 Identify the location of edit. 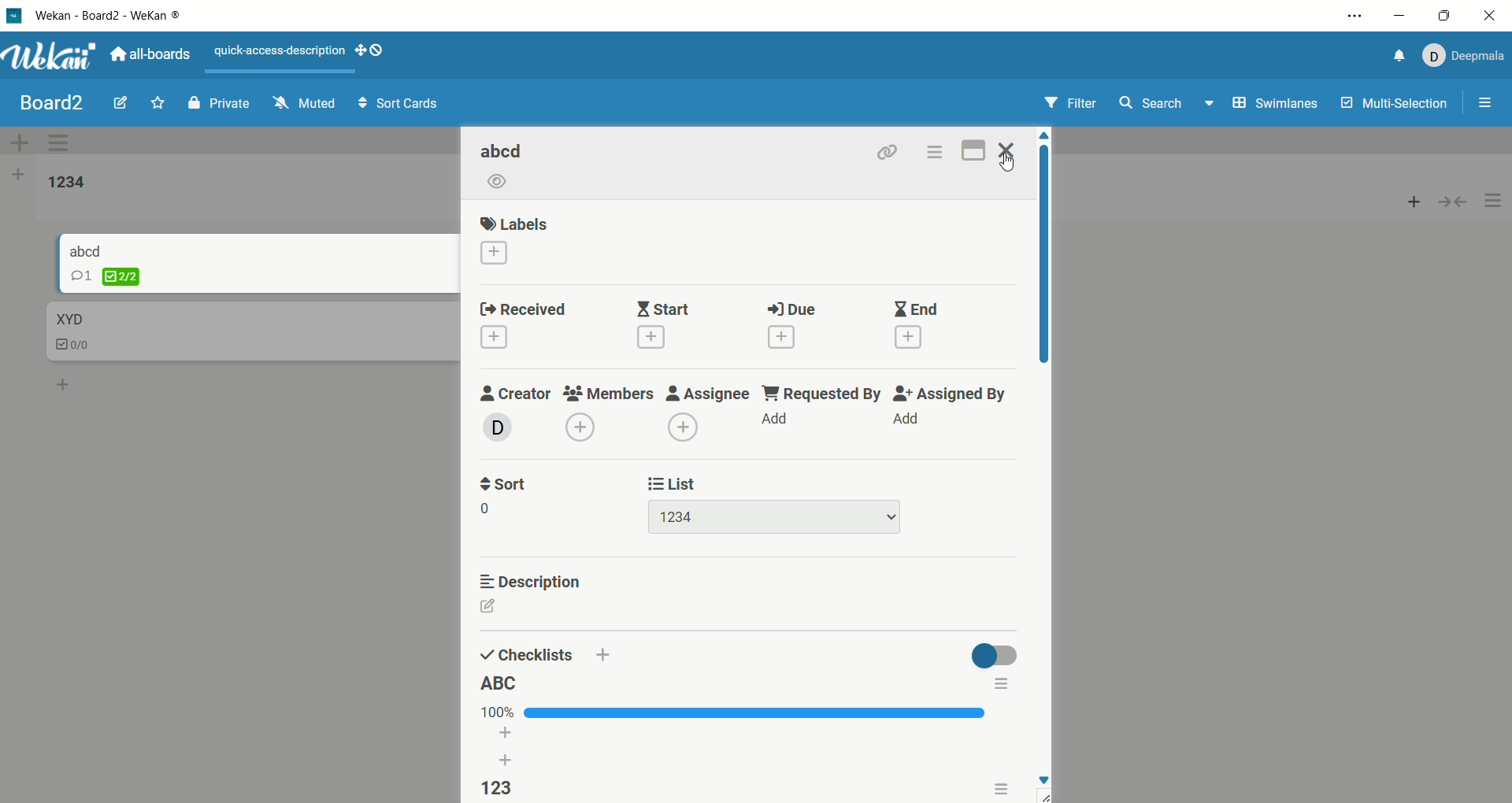
(489, 605).